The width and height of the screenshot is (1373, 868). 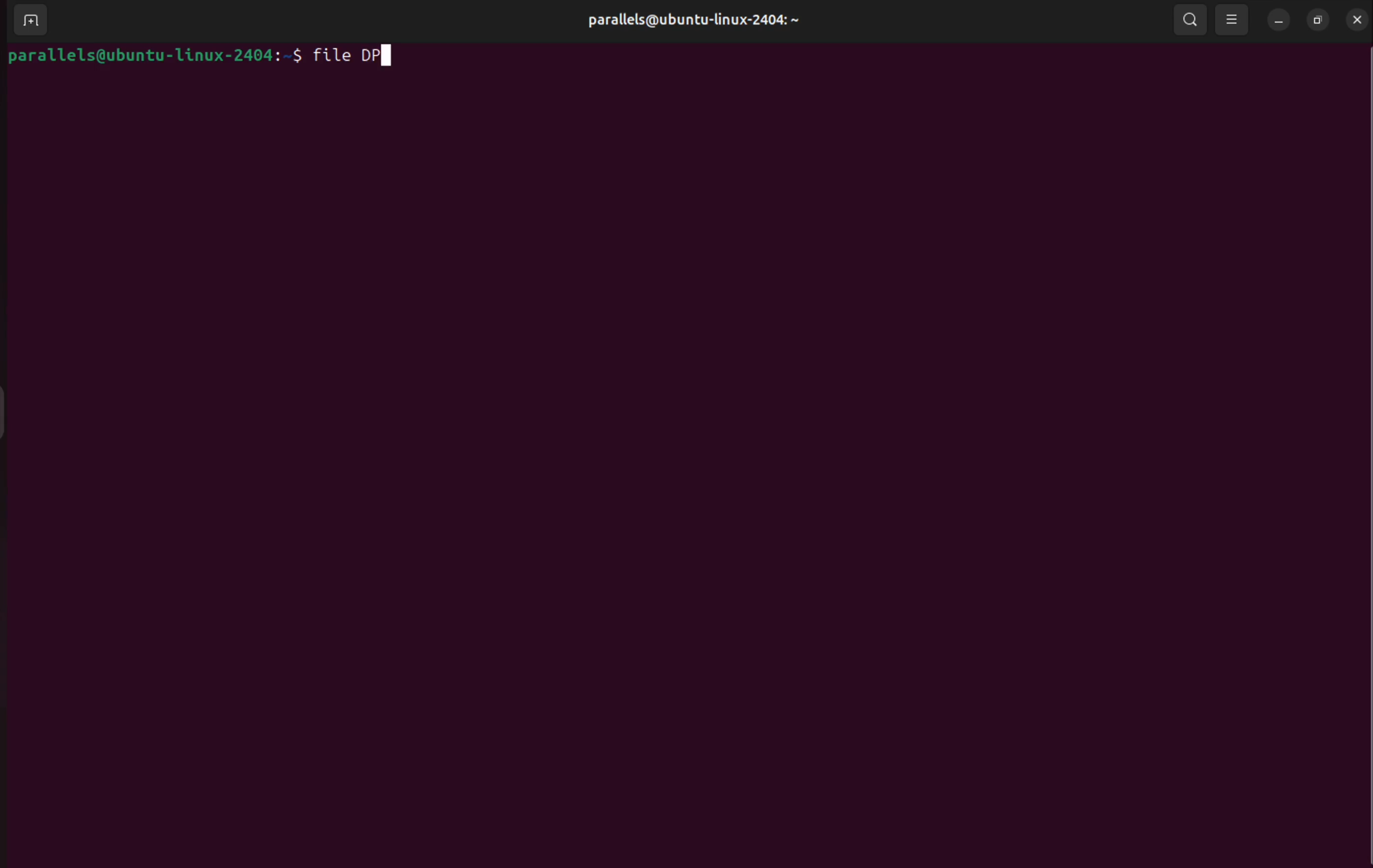 I want to click on minimize, so click(x=1279, y=21).